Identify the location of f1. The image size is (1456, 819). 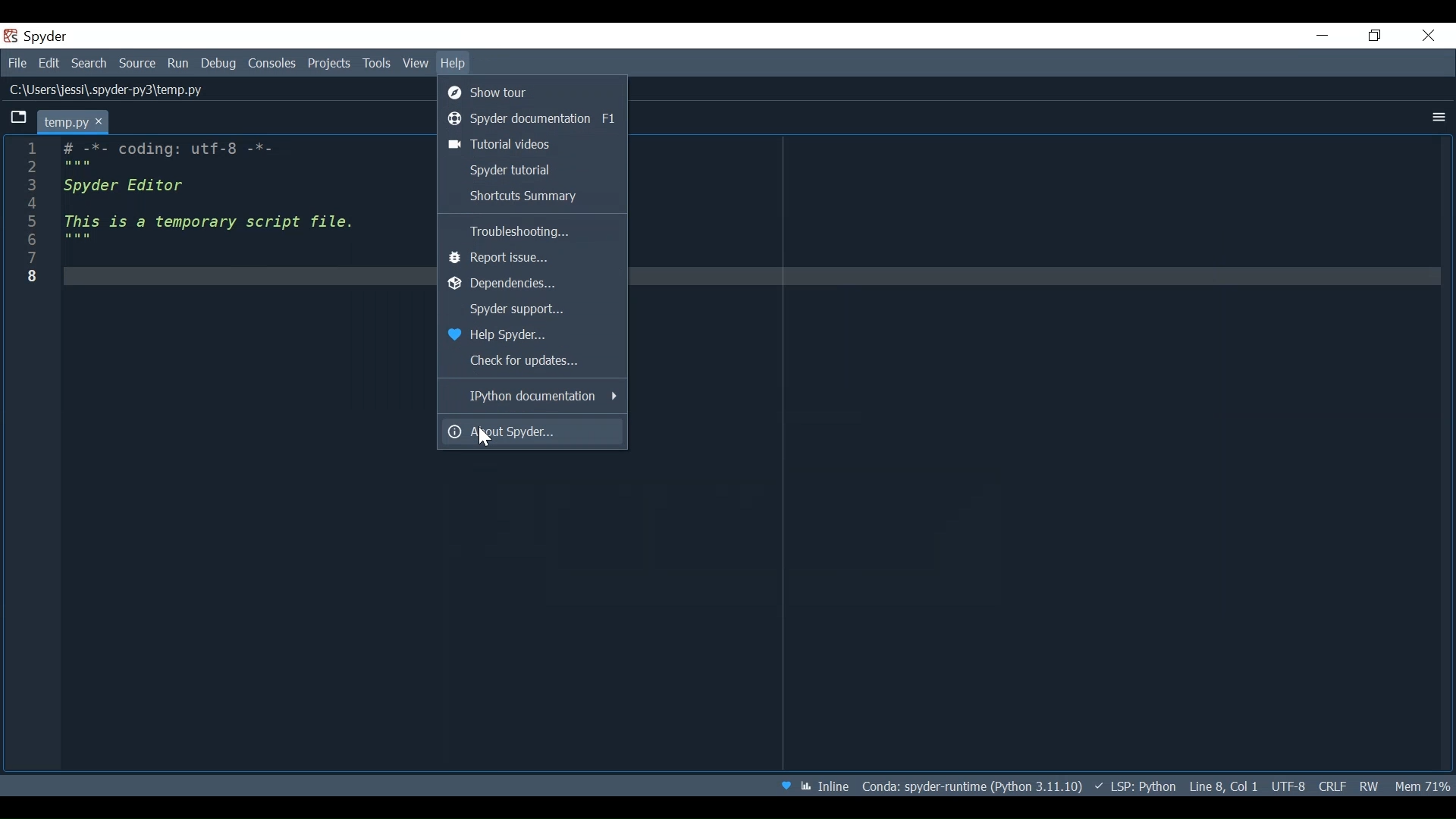
(614, 117).